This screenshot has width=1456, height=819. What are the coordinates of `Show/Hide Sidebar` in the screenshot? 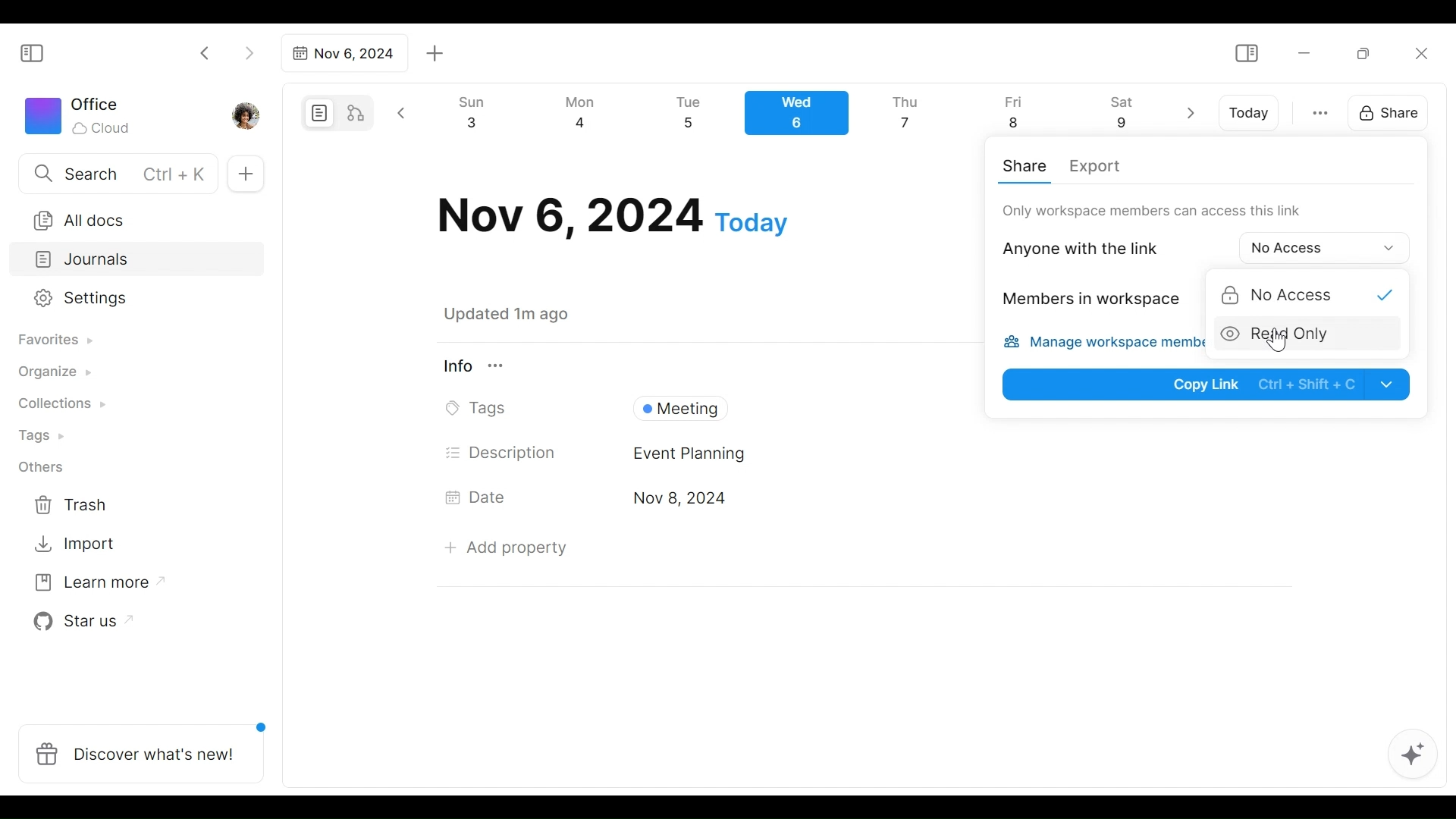 It's located at (39, 52).